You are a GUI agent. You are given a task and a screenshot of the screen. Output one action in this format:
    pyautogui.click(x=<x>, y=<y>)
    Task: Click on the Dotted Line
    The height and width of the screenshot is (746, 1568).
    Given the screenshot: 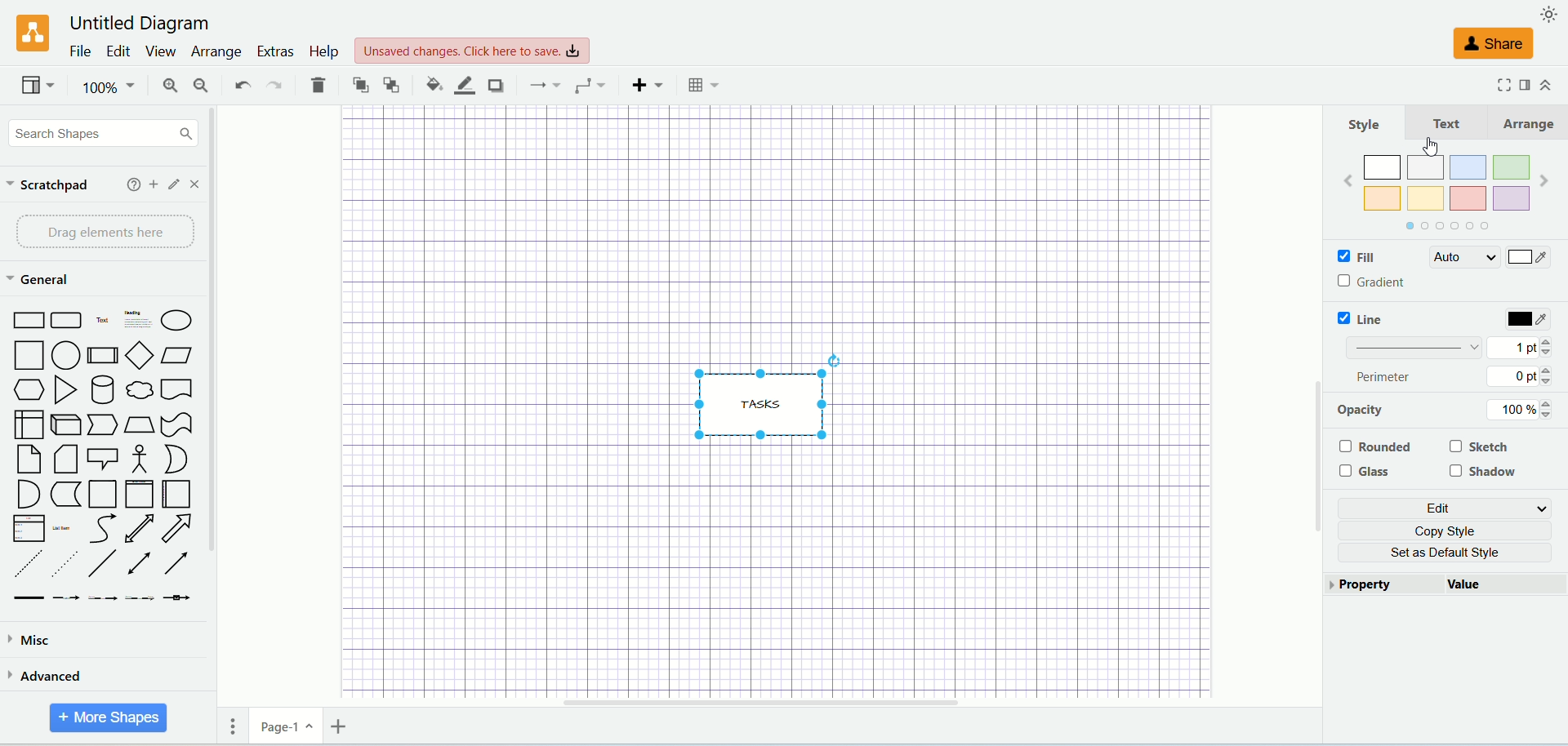 What is the action you would take?
    pyautogui.click(x=64, y=564)
    